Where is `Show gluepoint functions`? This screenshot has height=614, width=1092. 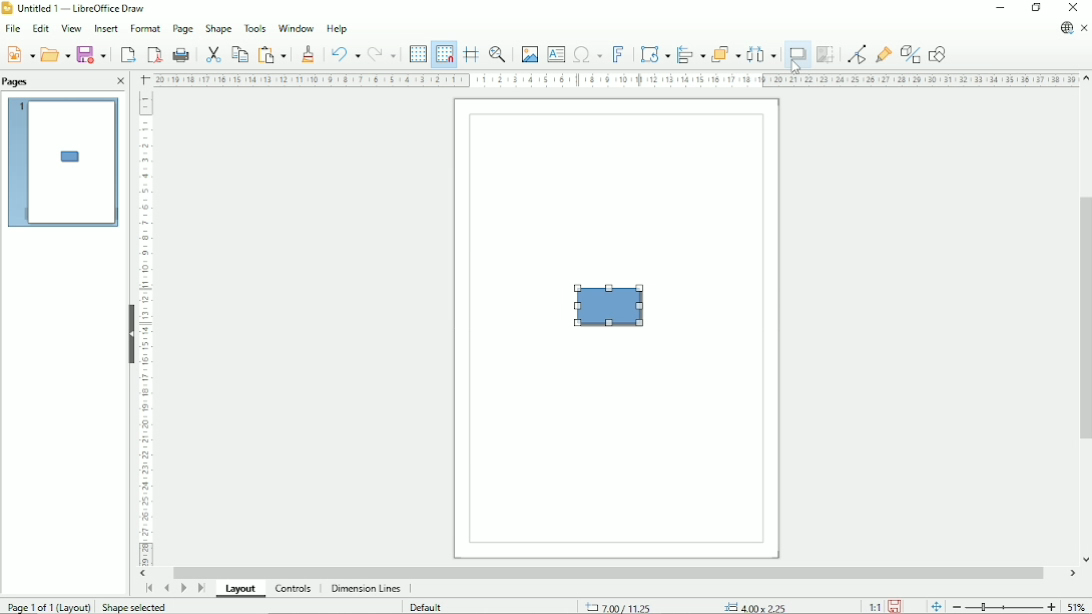
Show gluepoint functions is located at coordinates (883, 54).